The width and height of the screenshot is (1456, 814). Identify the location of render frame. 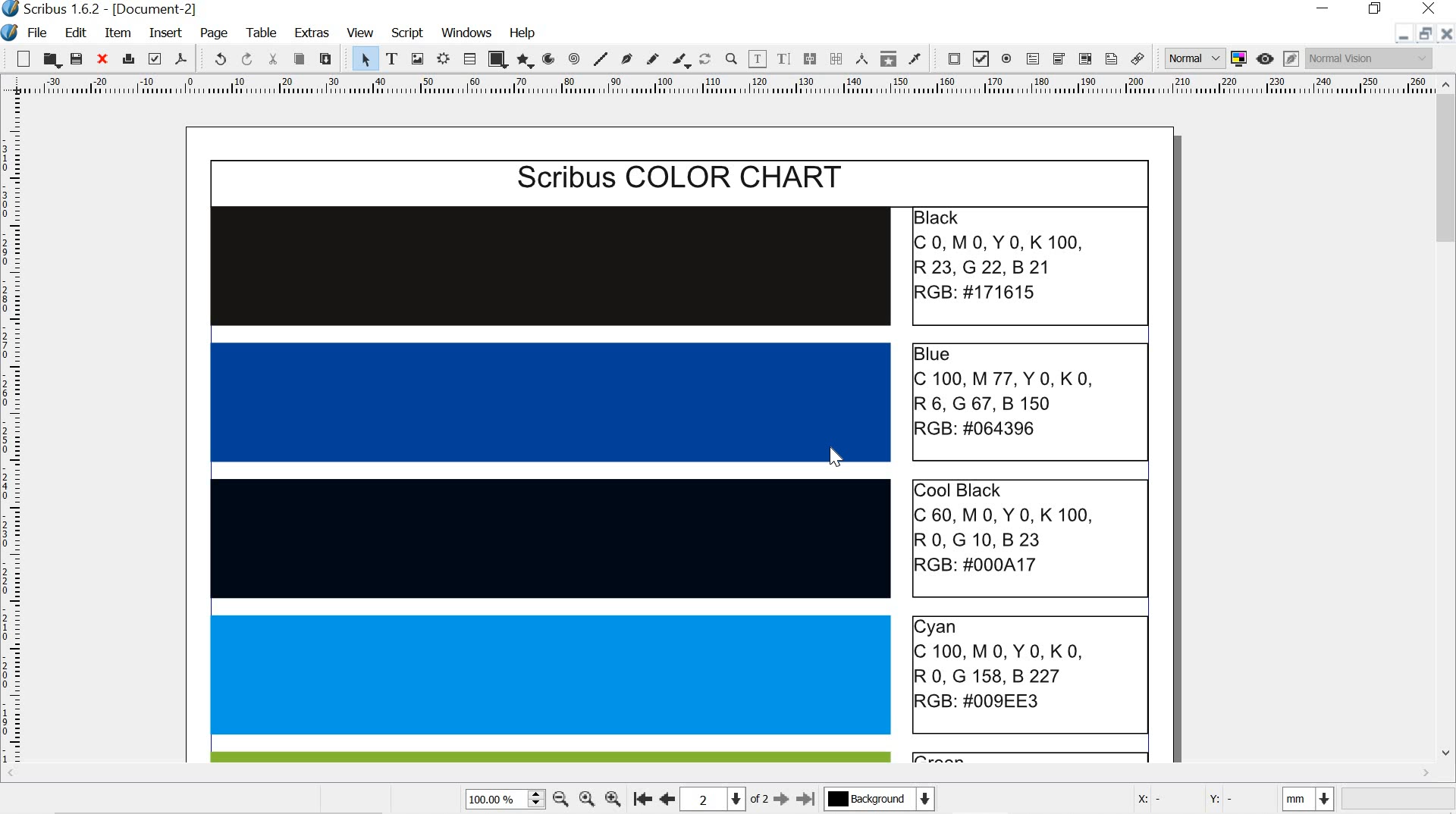
(445, 58).